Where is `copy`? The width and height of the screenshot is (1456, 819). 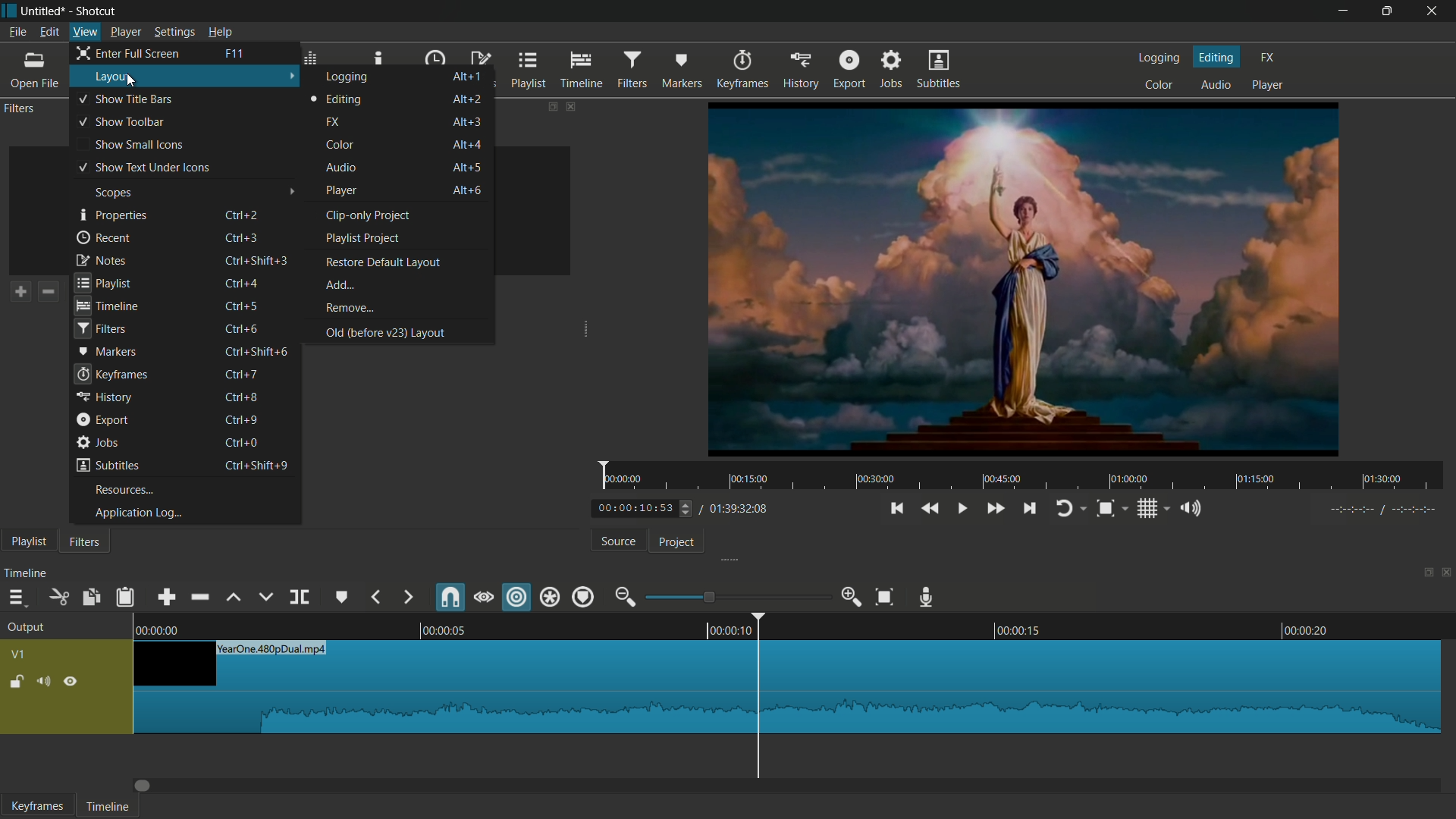
copy is located at coordinates (90, 598).